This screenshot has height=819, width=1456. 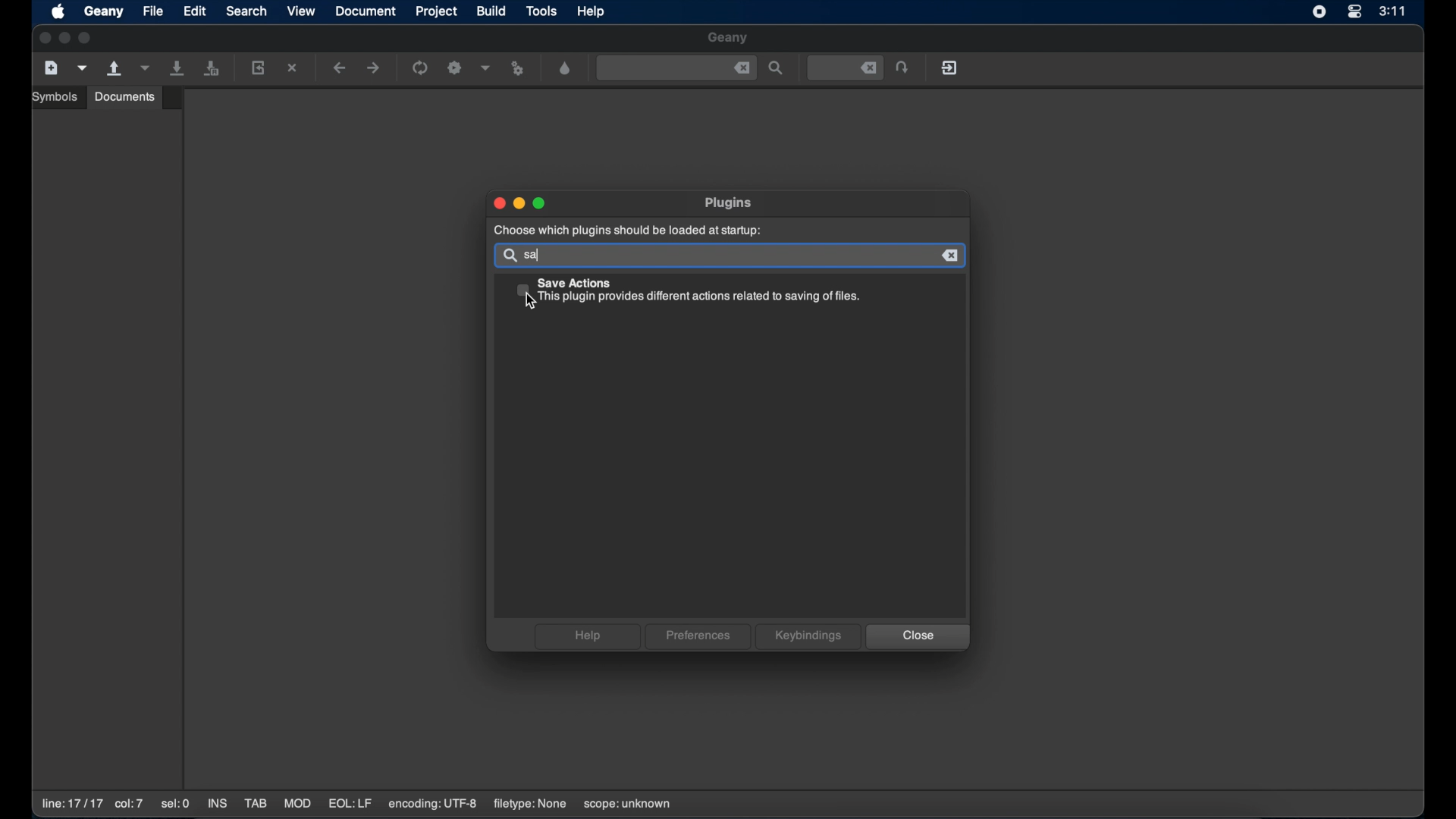 What do you see at coordinates (508, 256) in the screenshot?
I see `search` at bounding box center [508, 256].